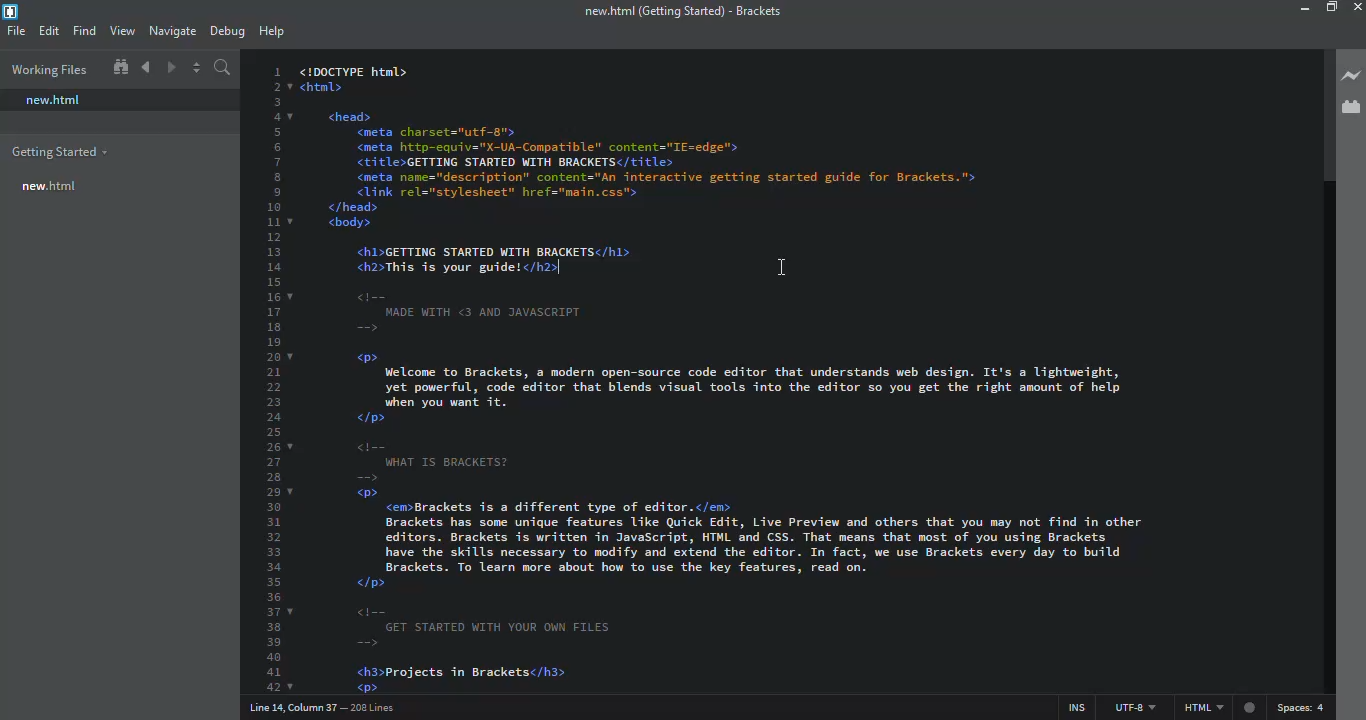 The width and height of the screenshot is (1366, 720). Describe the element at coordinates (1225, 709) in the screenshot. I see `html` at that location.